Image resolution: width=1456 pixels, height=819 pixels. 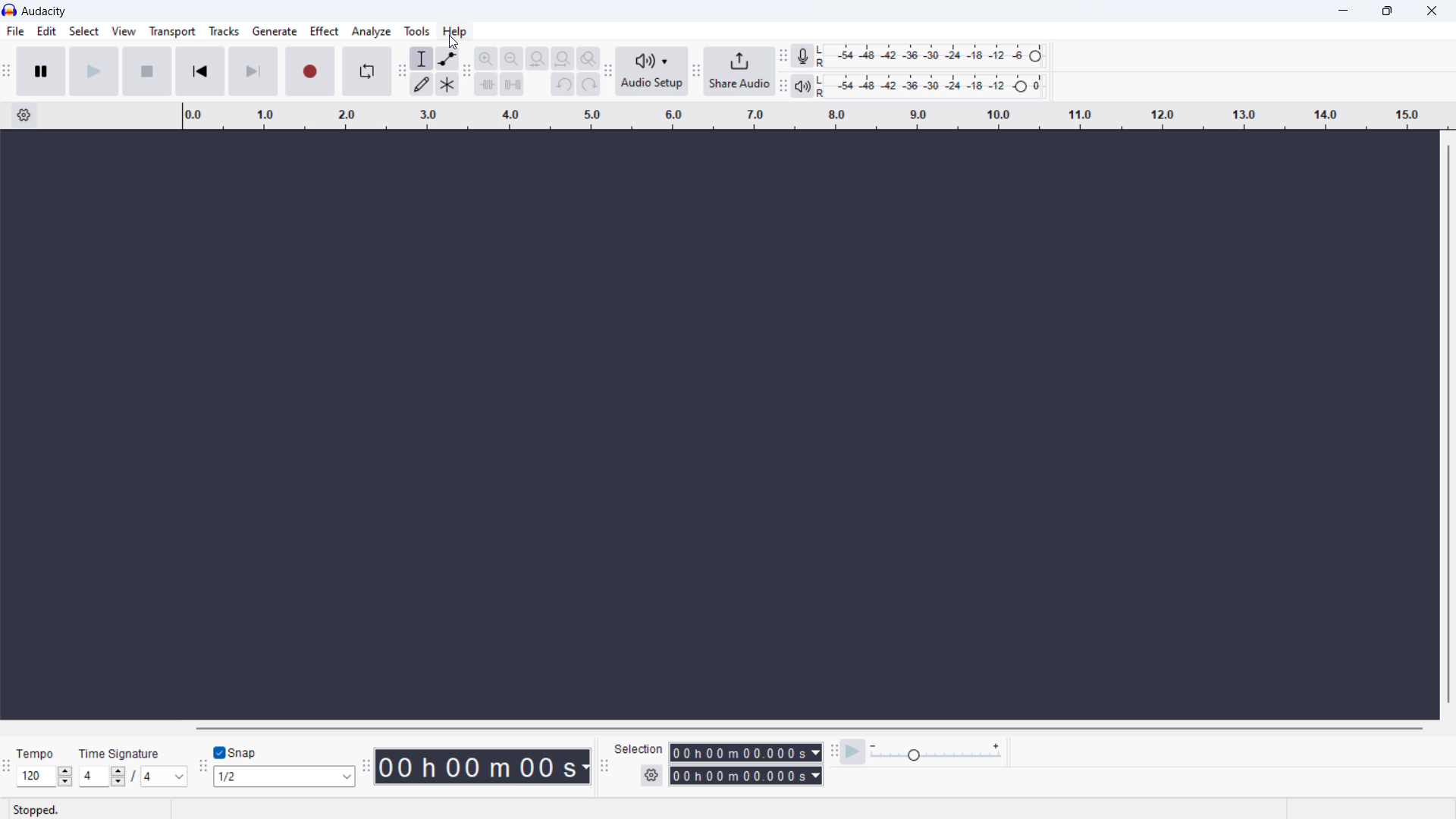 I want to click on analyze, so click(x=371, y=31).